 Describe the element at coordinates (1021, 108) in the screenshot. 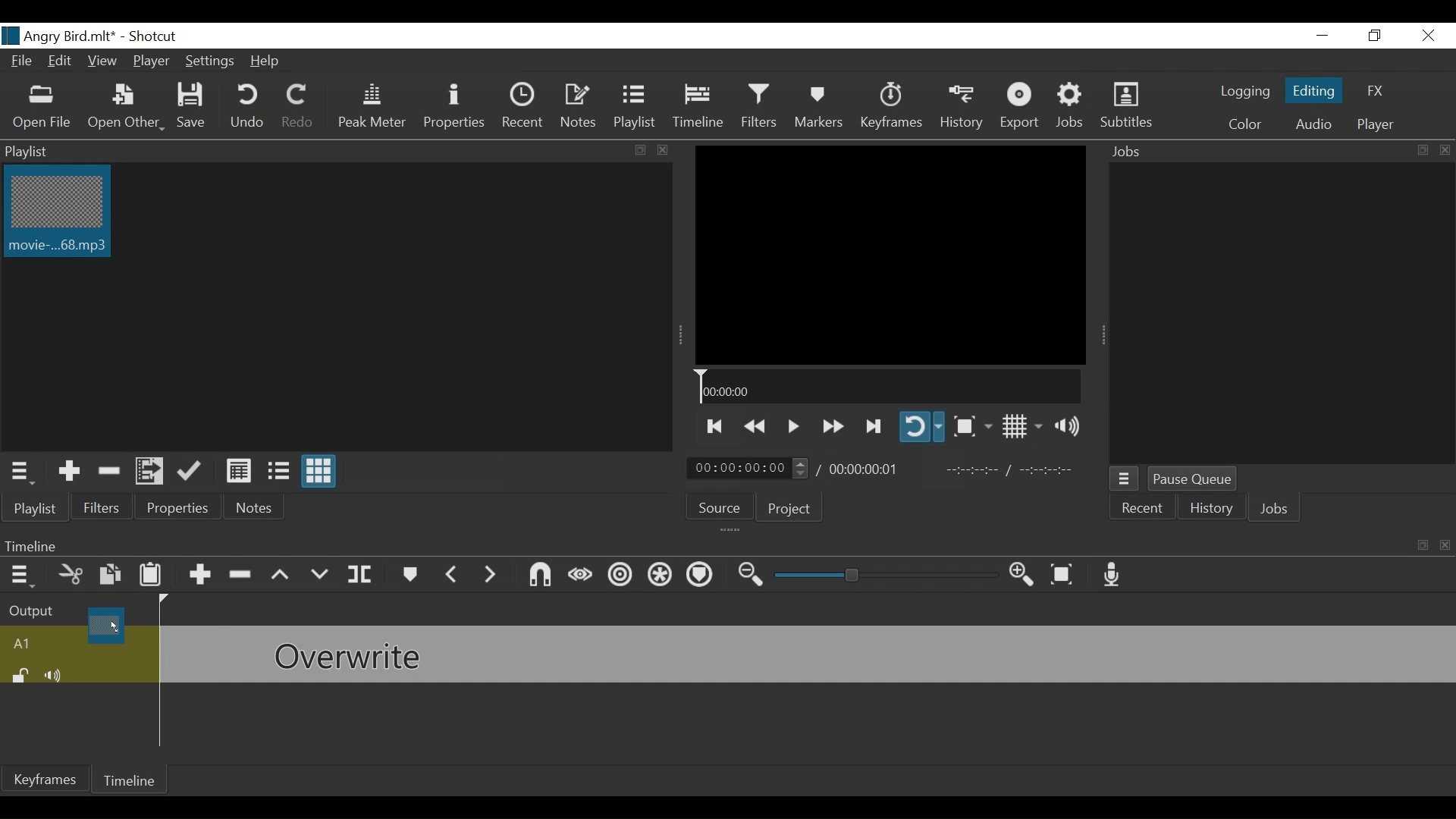

I see `Export` at that location.